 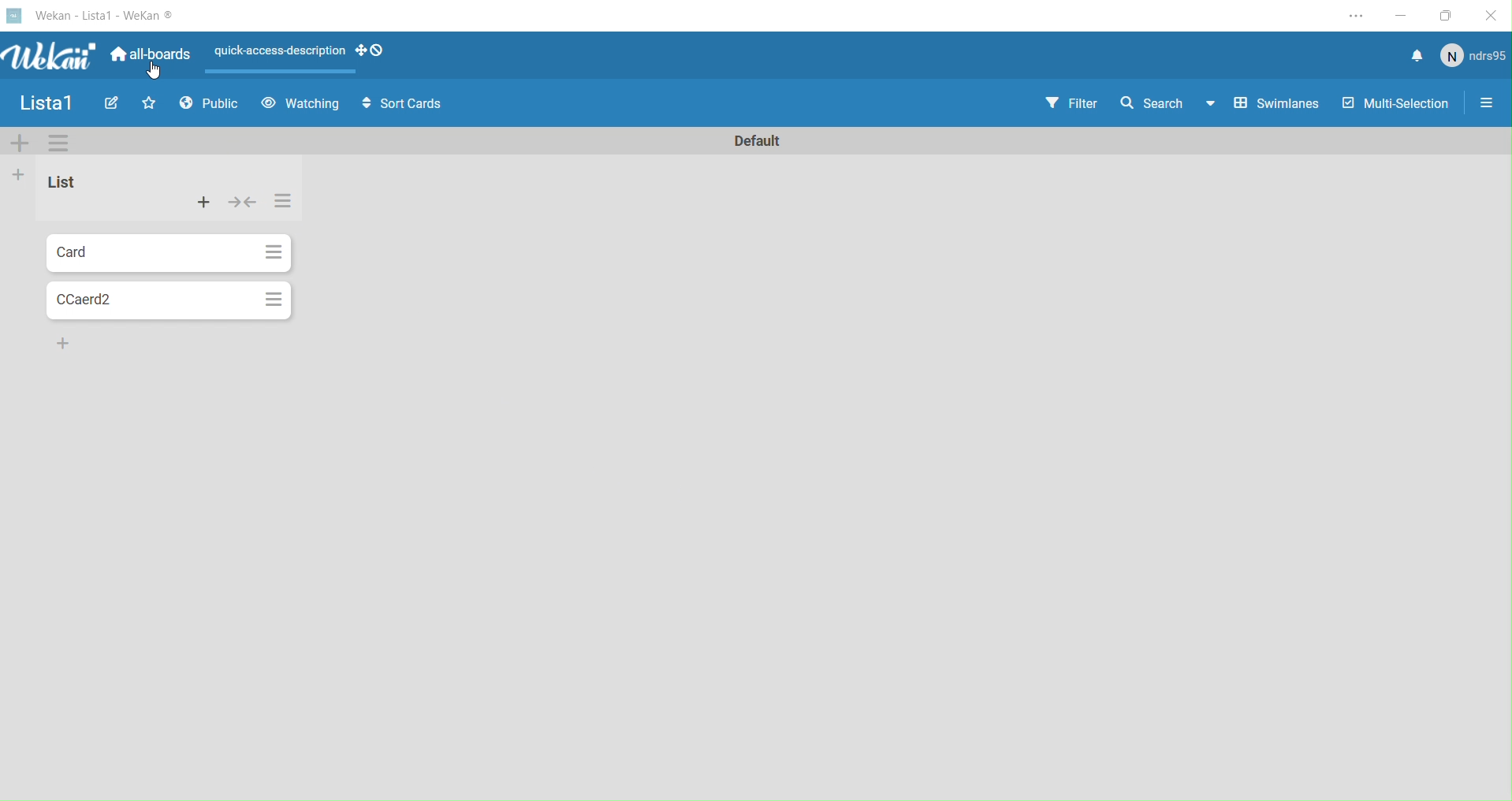 What do you see at coordinates (207, 106) in the screenshot?
I see `Public` at bounding box center [207, 106].